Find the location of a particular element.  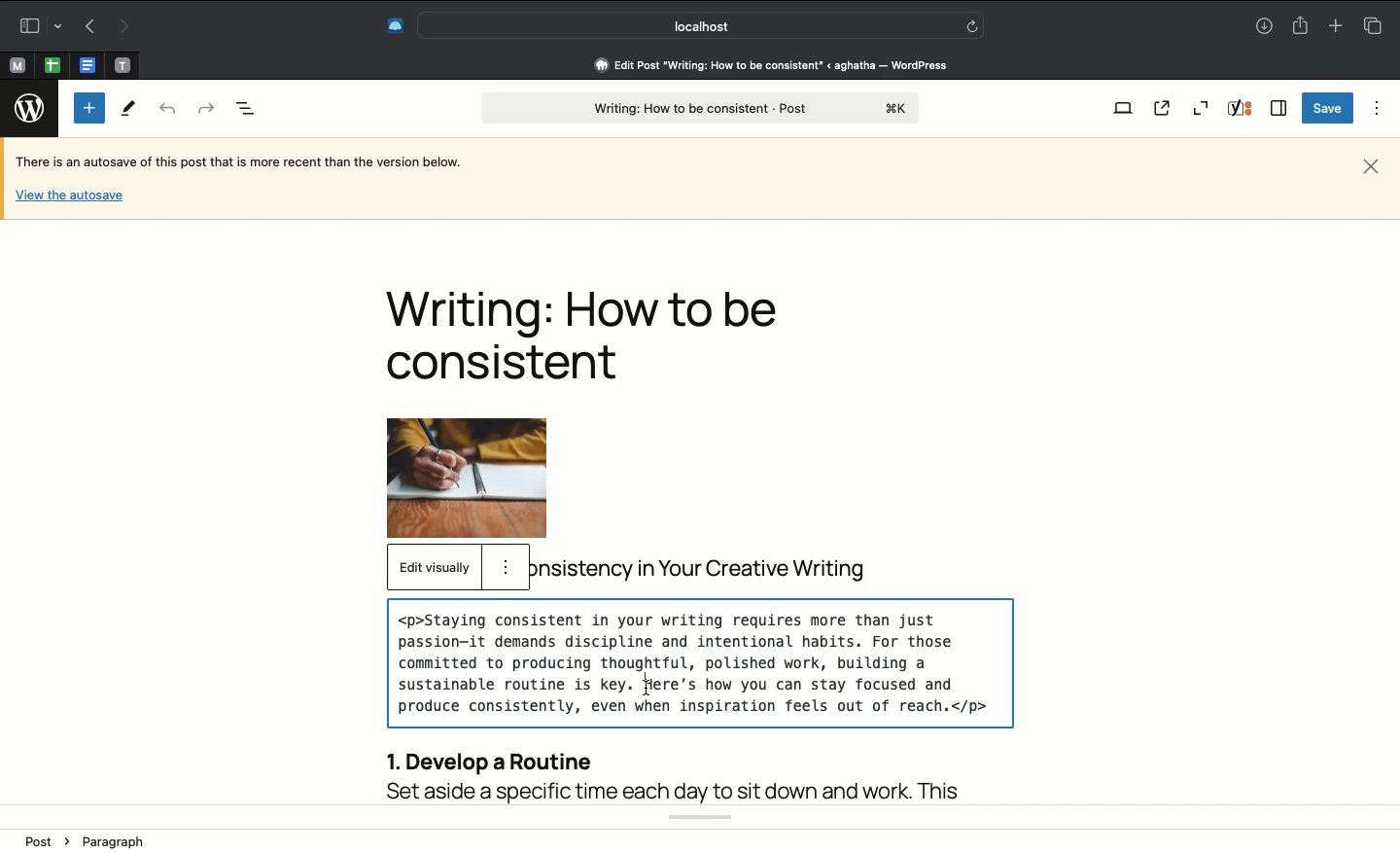

Options is located at coordinates (1373, 108).